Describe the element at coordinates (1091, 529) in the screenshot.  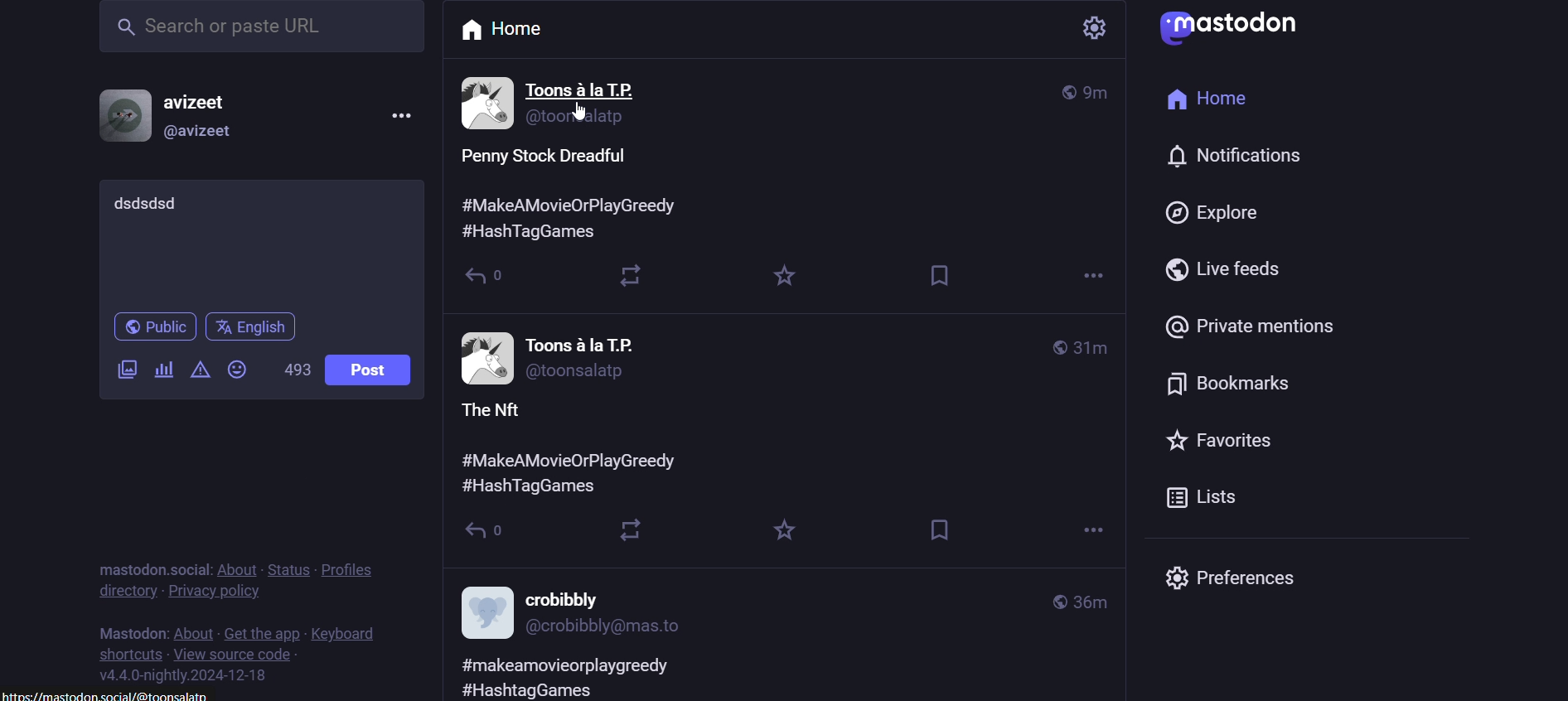
I see `` at that location.